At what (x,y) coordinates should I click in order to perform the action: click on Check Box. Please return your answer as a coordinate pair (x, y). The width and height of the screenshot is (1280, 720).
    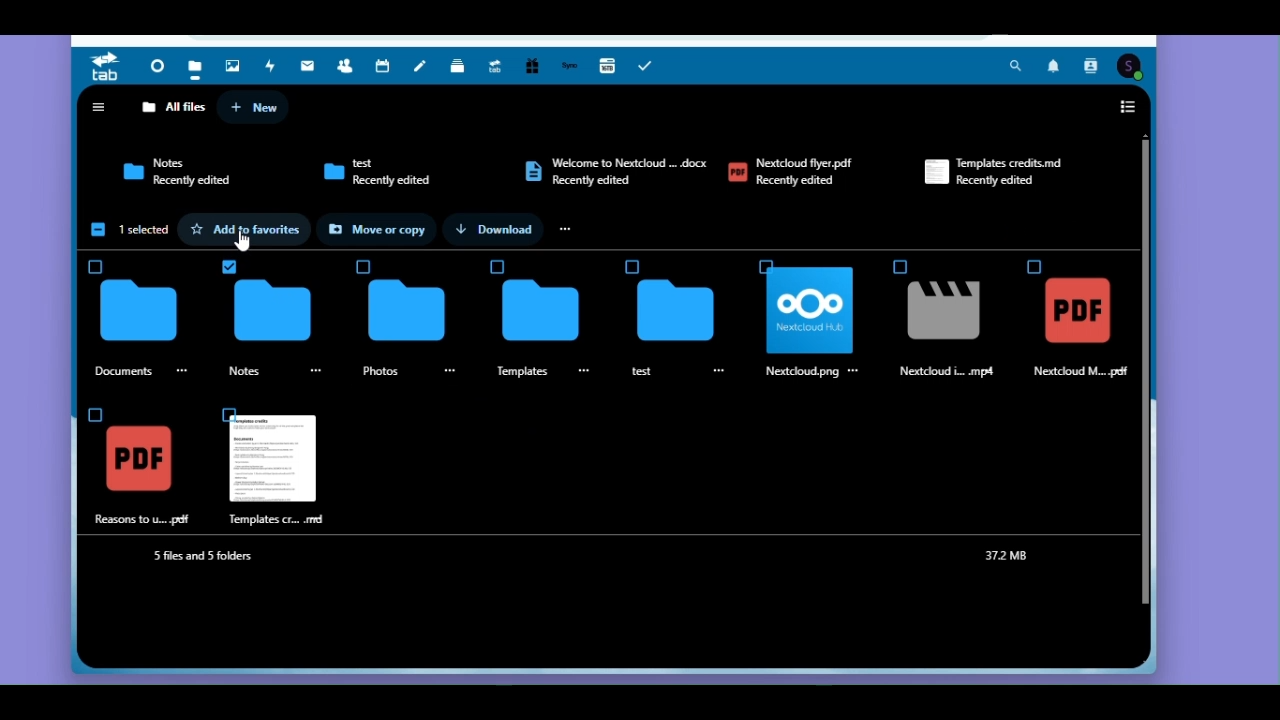
    Looking at the image, I should click on (233, 268).